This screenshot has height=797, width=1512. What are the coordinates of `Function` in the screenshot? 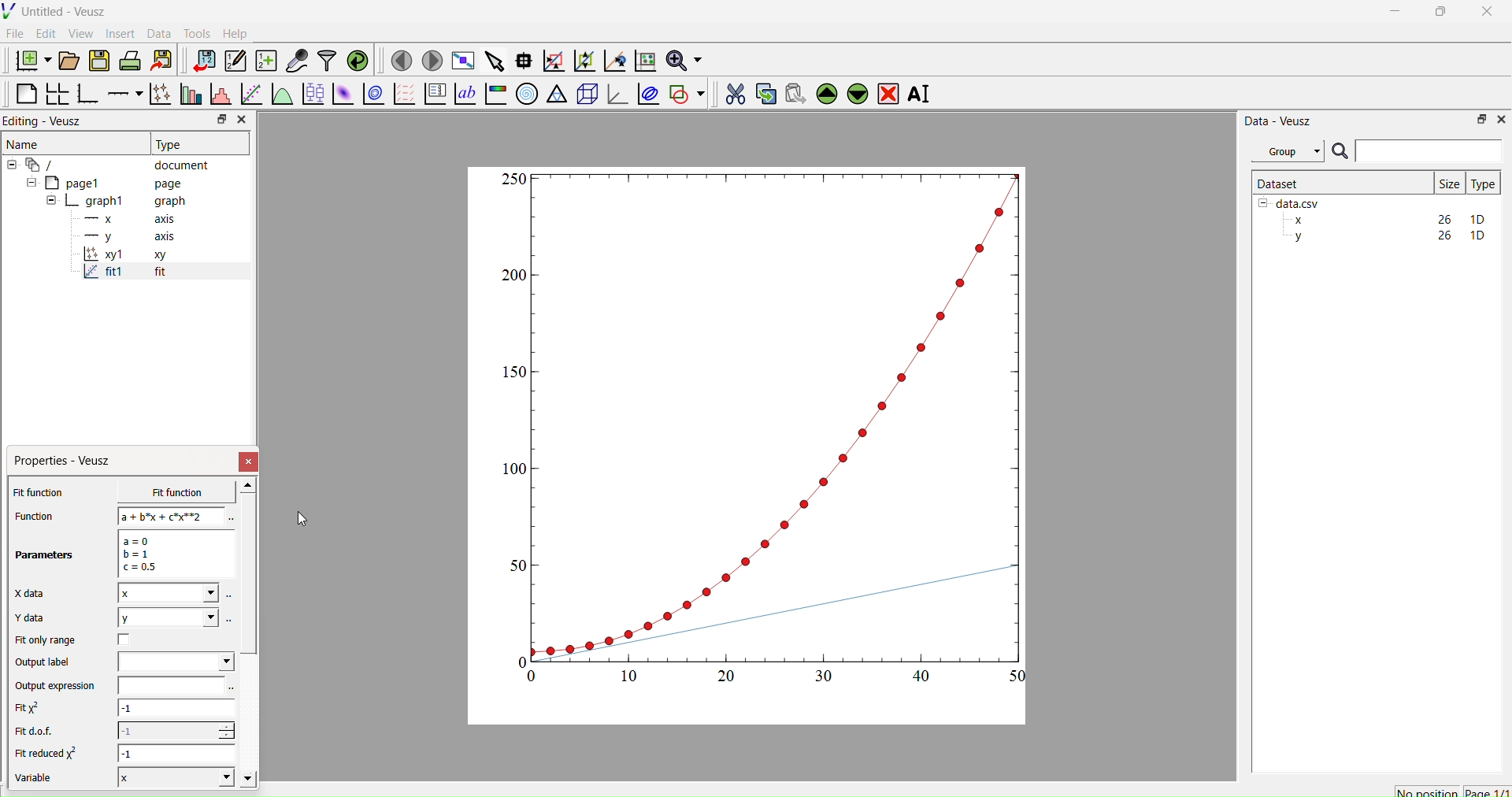 It's located at (32, 516).